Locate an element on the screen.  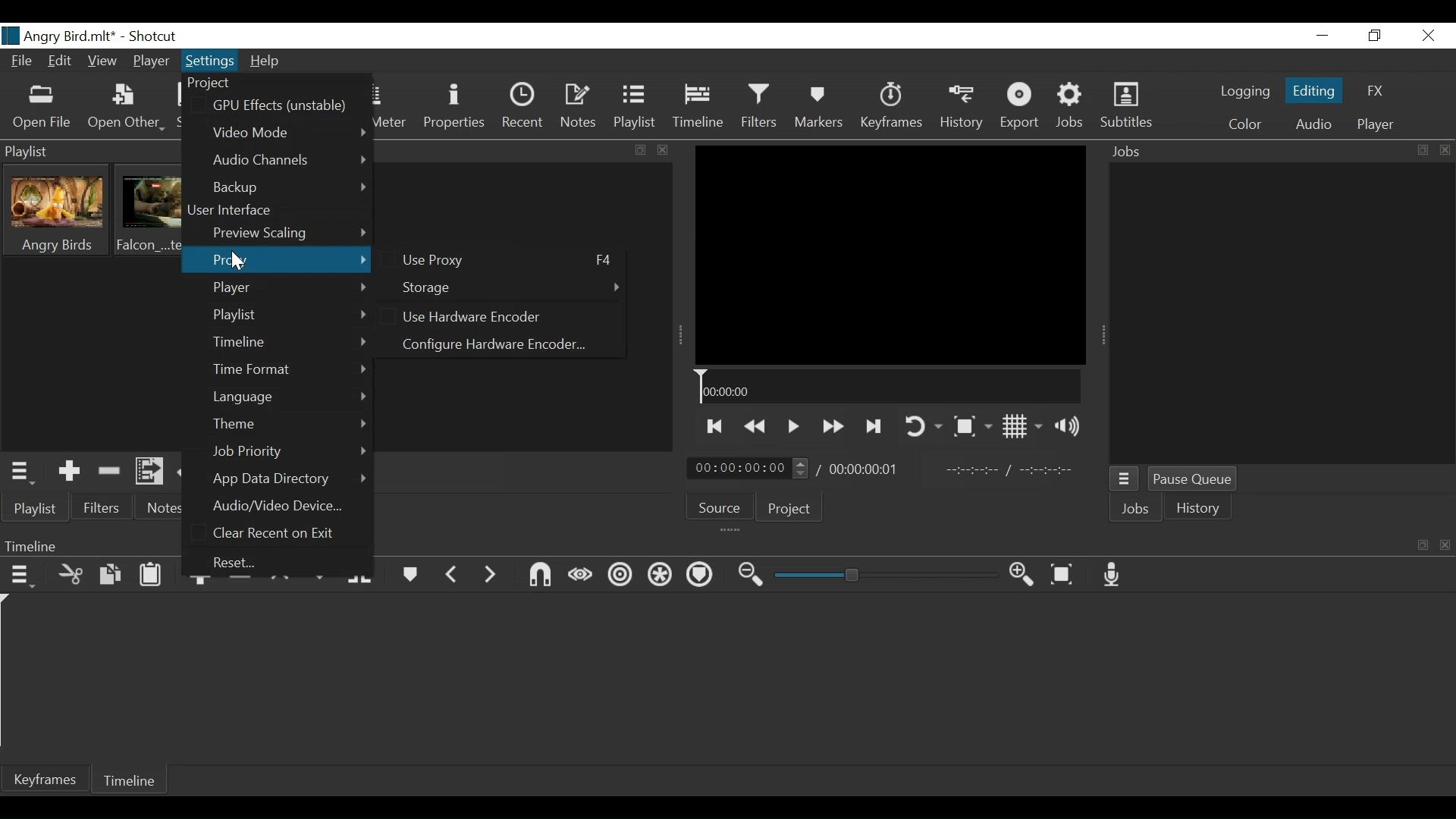
Close is located at coordinates (1428, 35).